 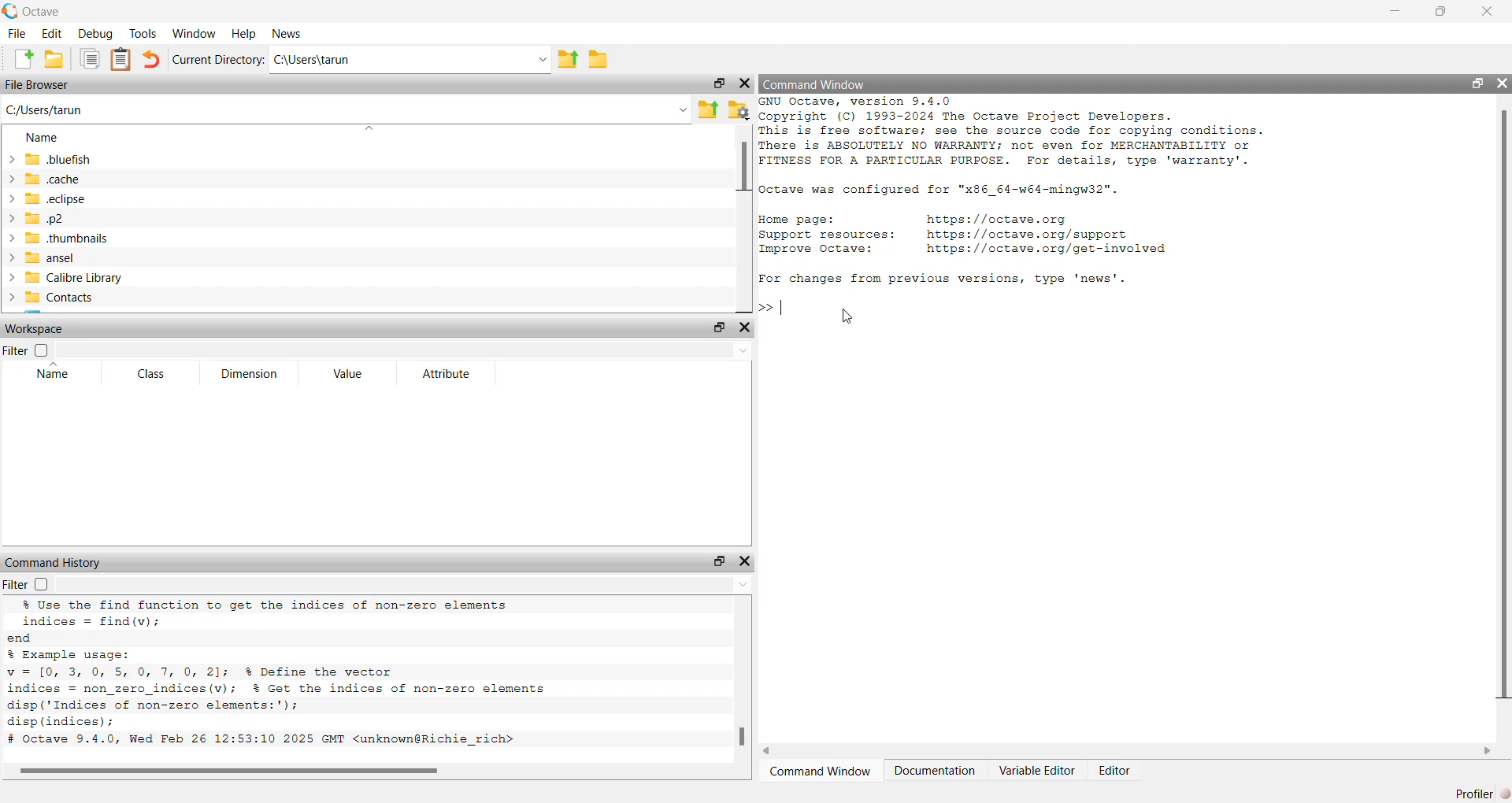 What do you see at coordinates (192, 34) in the screenshot?
I see `‘Window` at bounding box center [192, 34].